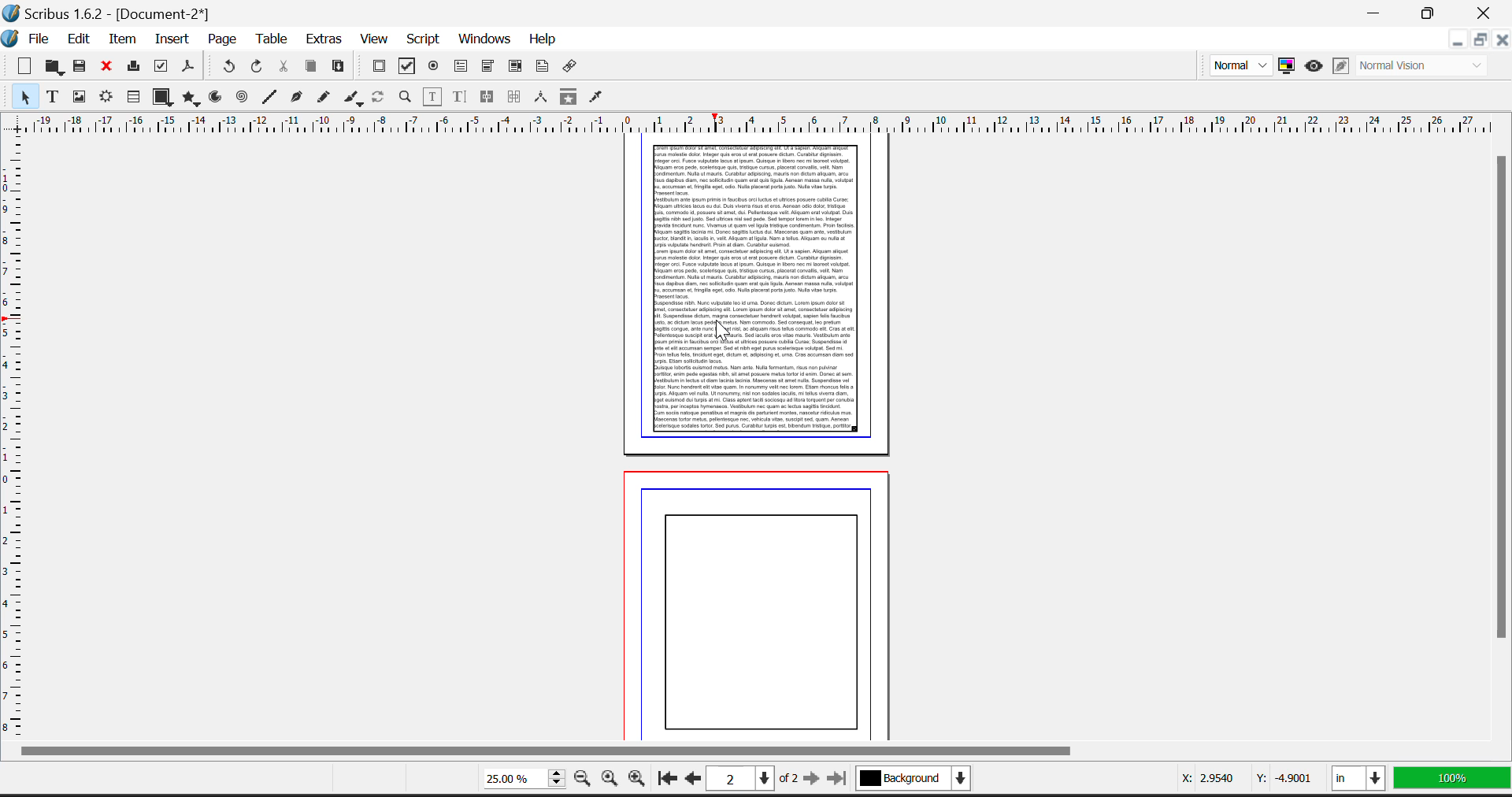  What do you see at coordinates (1428, 65) in the screenshot?
I see `Normal Vision` at bounding box center [1428, 65].